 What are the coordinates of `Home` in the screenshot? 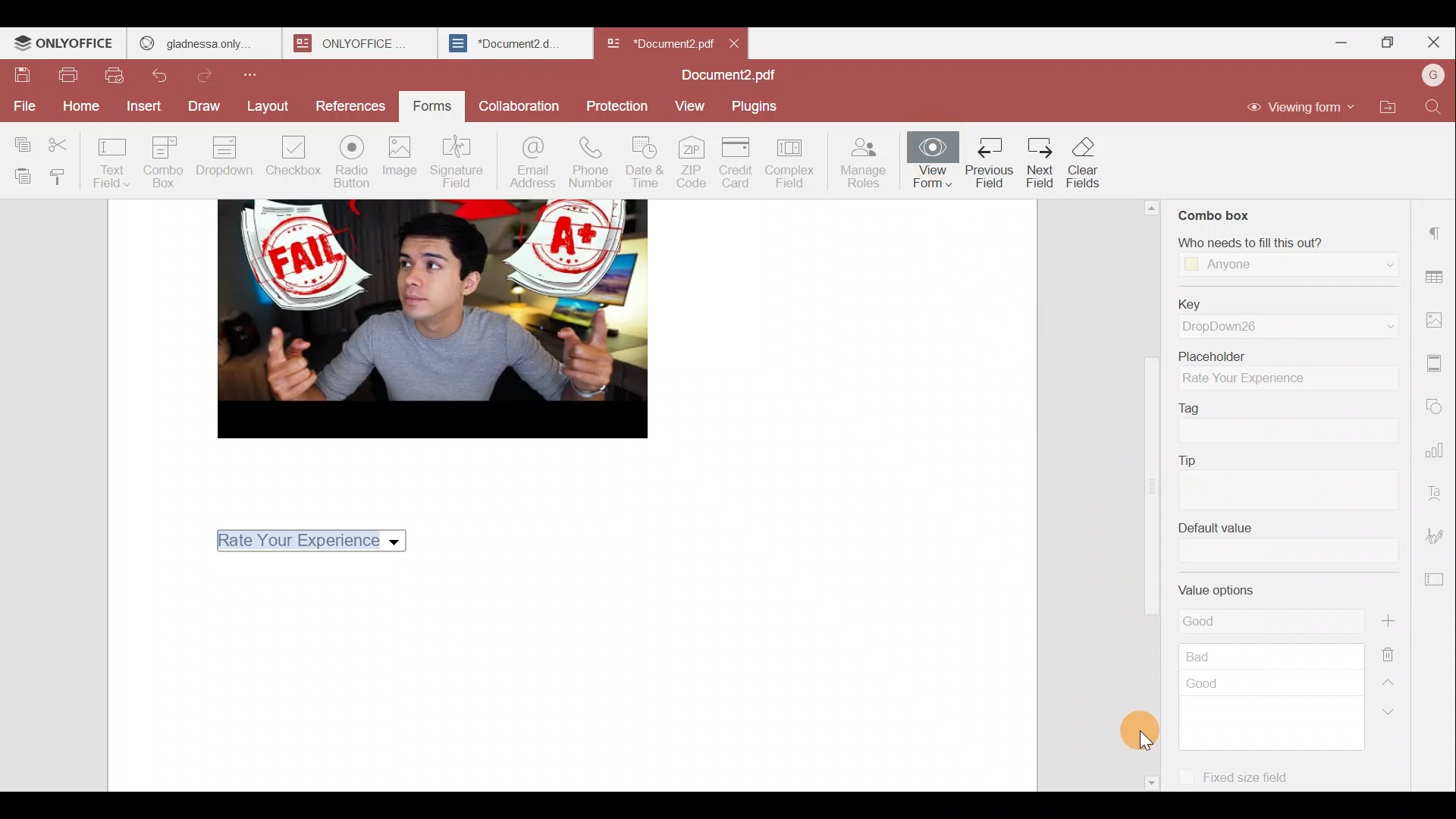 It's located at (77, 108).